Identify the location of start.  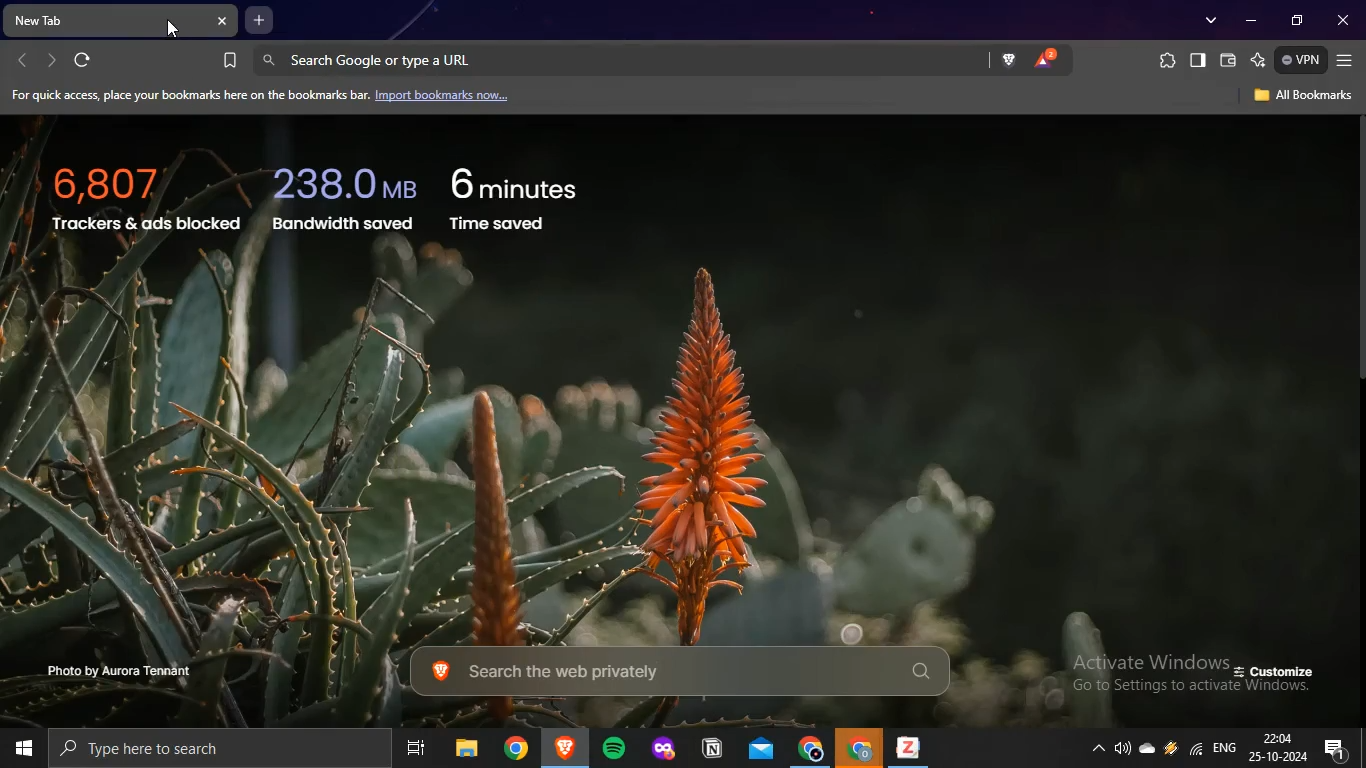
(24, 749).